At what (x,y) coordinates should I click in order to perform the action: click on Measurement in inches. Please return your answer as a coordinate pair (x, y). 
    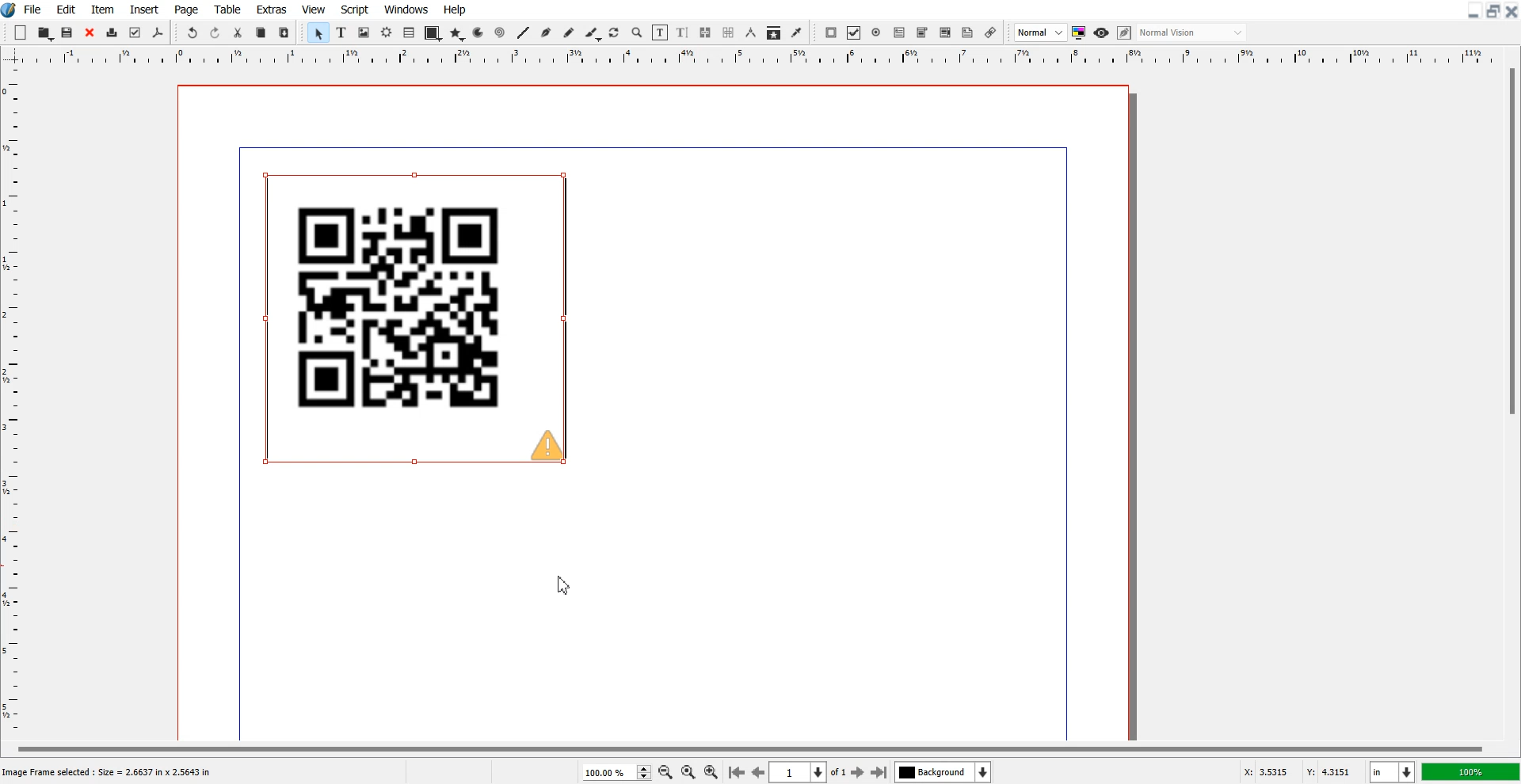
    Looking at the image, I should click on (1393, 771).